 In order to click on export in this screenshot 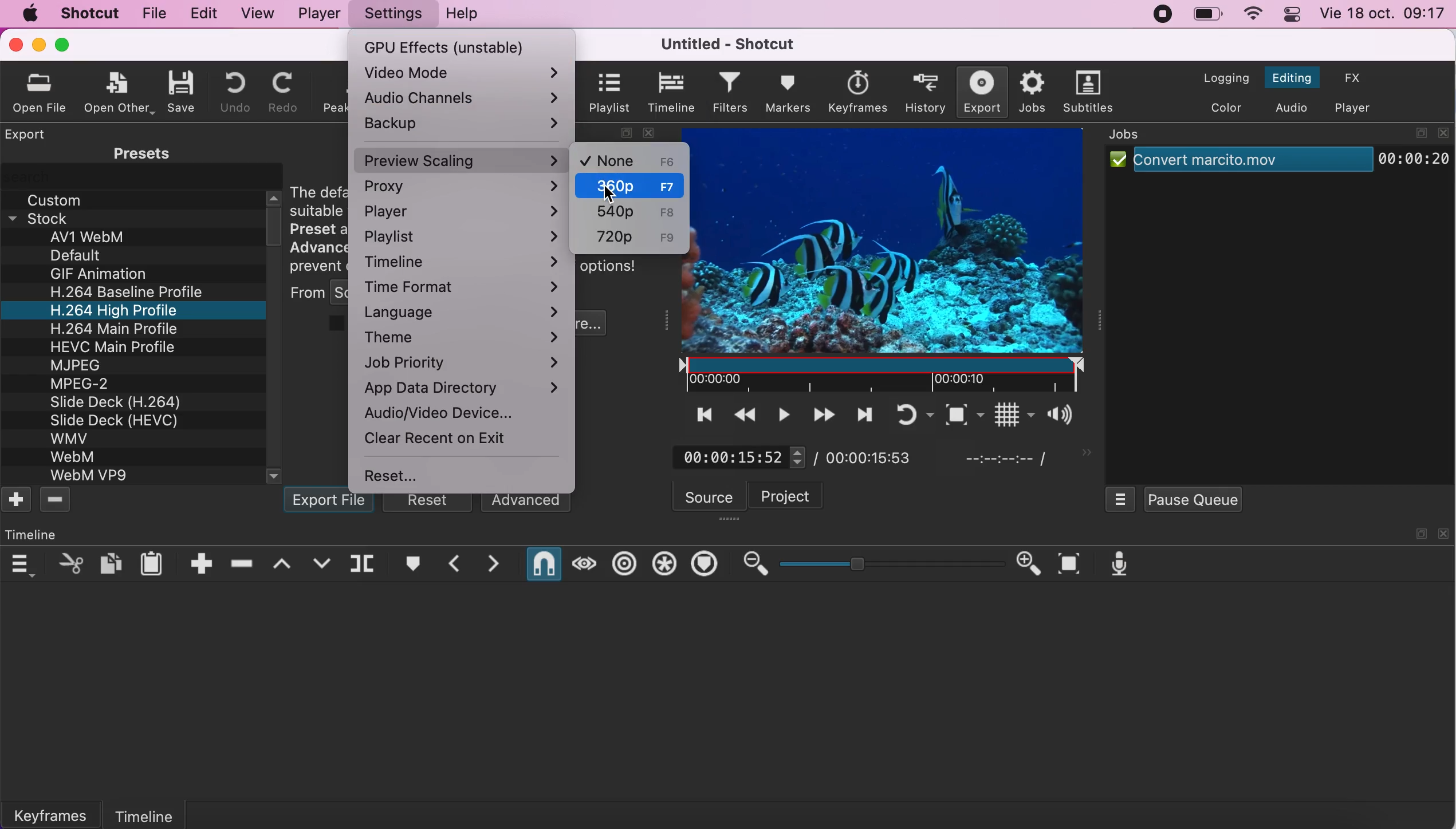, I will do `click(977, 92)`.